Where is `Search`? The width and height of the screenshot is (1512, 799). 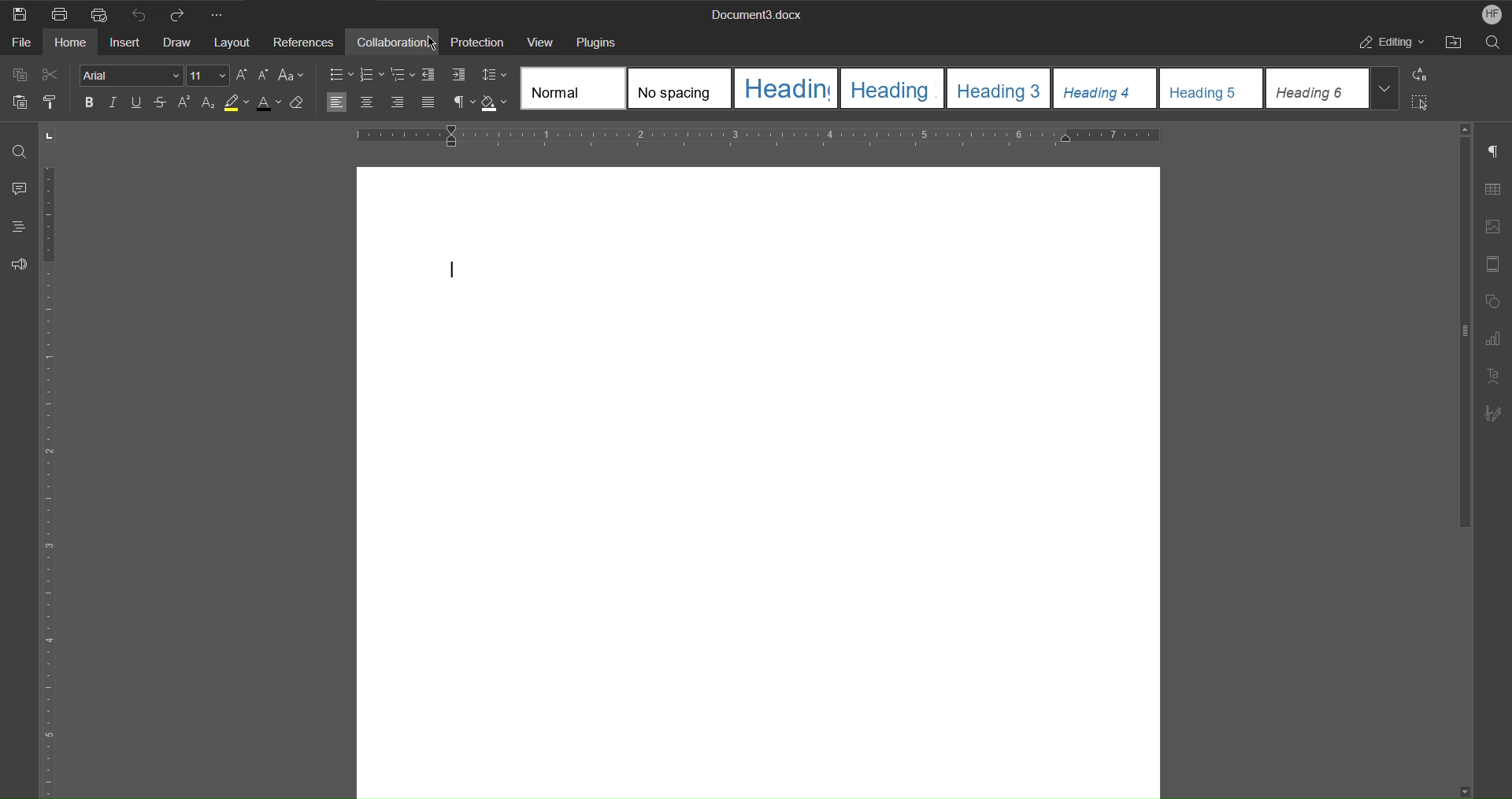 Search is located at coordinates (1493, 43).